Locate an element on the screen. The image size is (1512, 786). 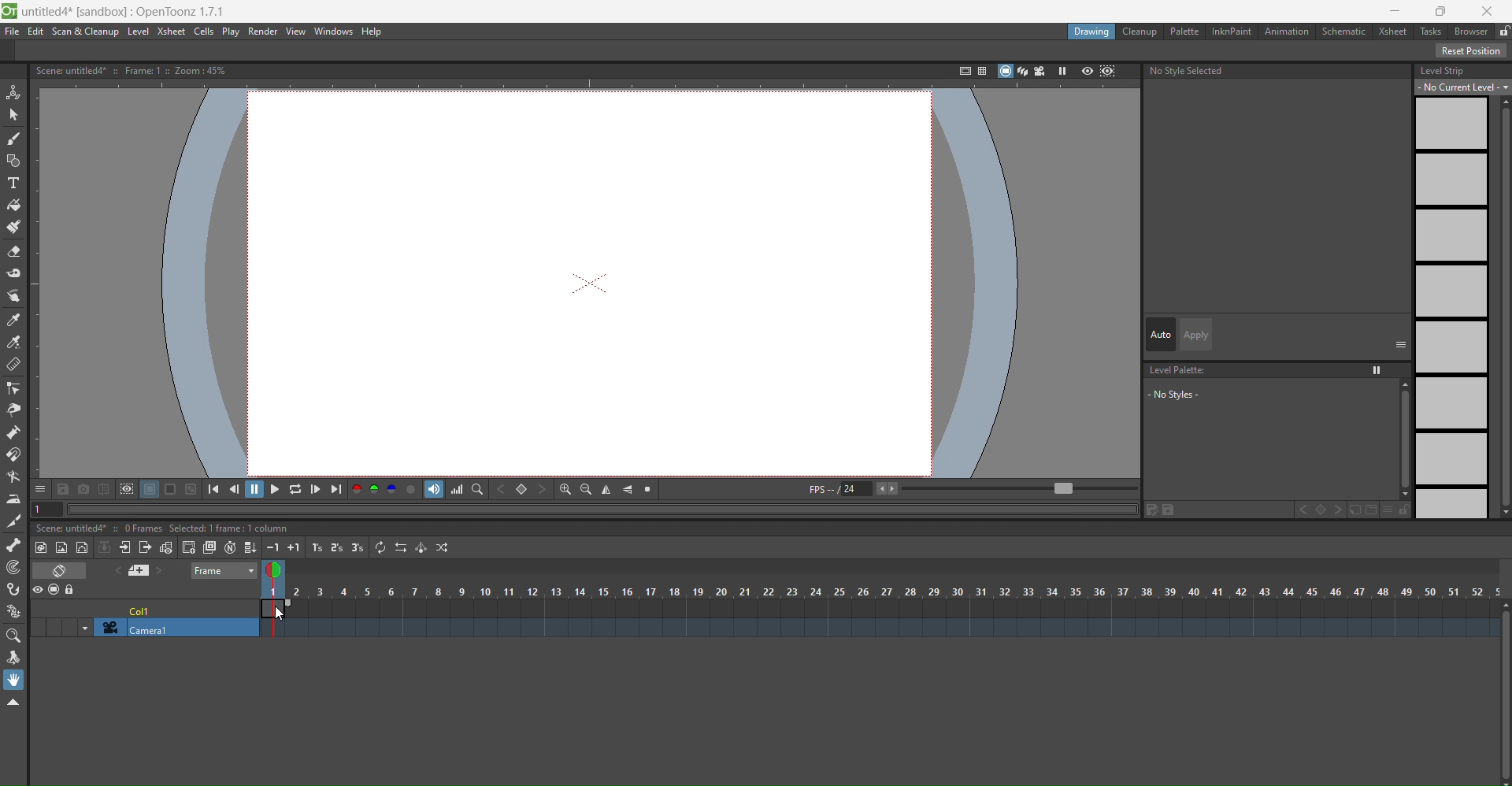
text is located at coordinates (165, 528).